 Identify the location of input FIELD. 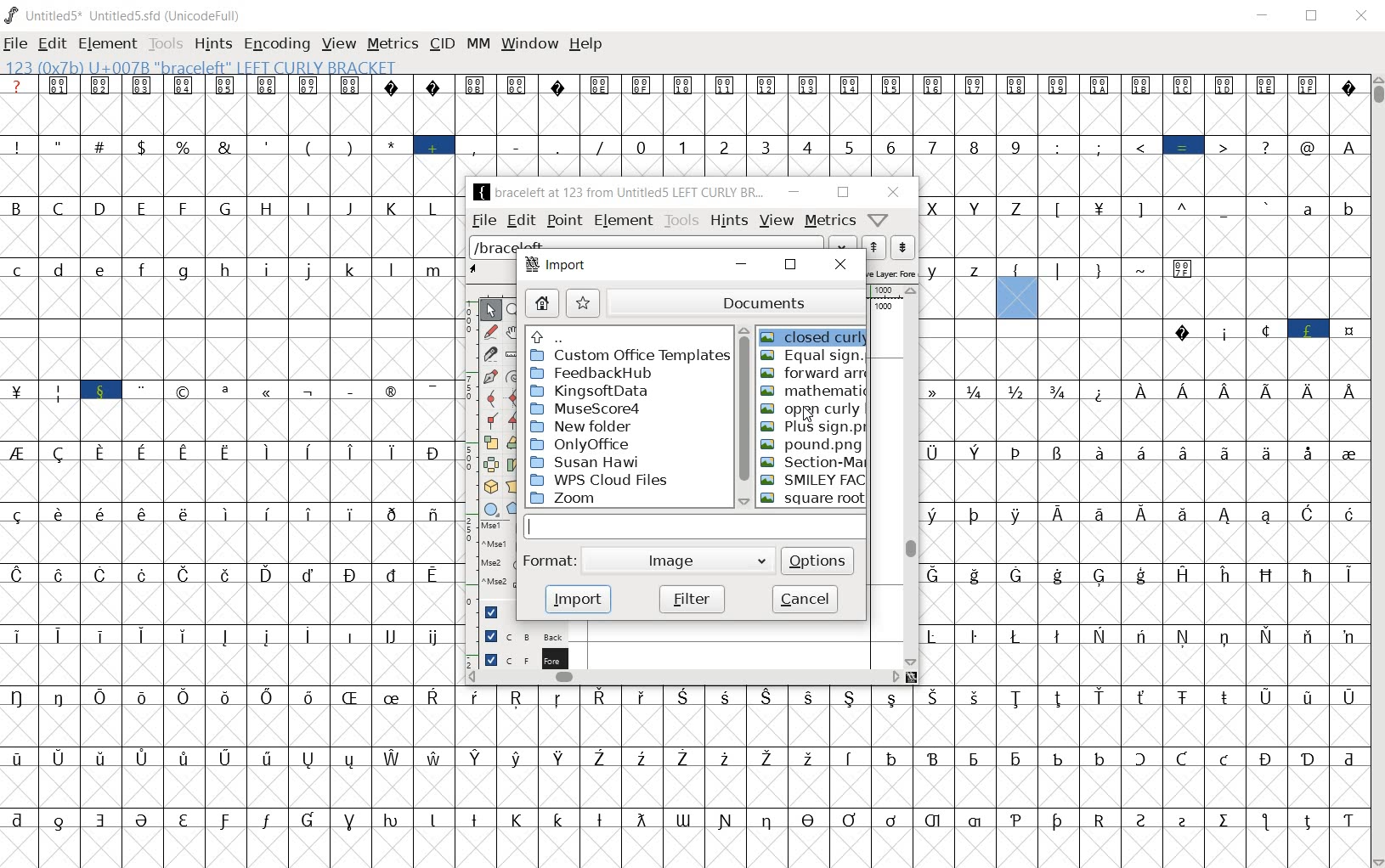
(693, 527).